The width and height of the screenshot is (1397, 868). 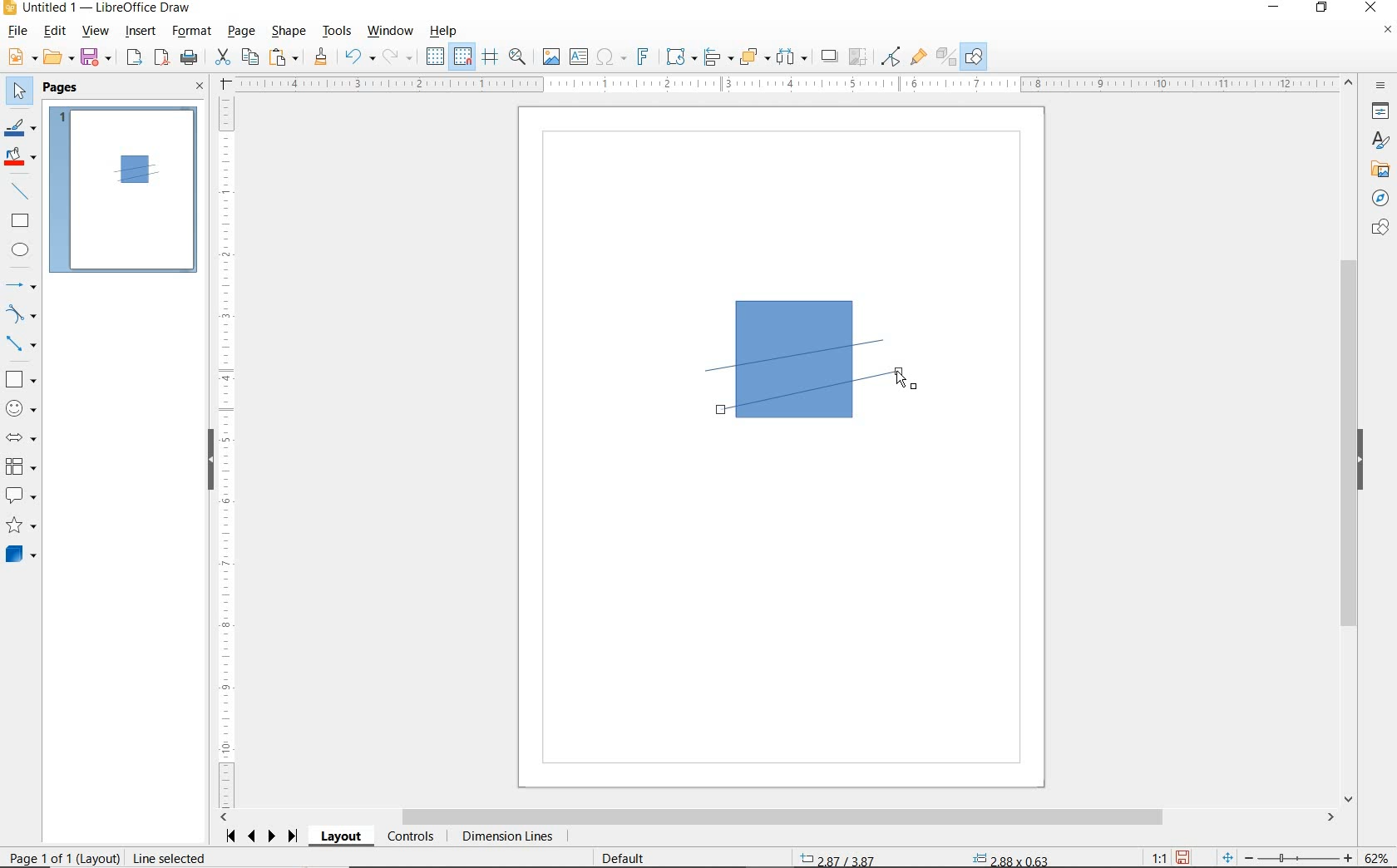 What do you see at coordinates (135, 169) in the screenshot?
I see `LINE ADDED` at bounding box center [135, 169].